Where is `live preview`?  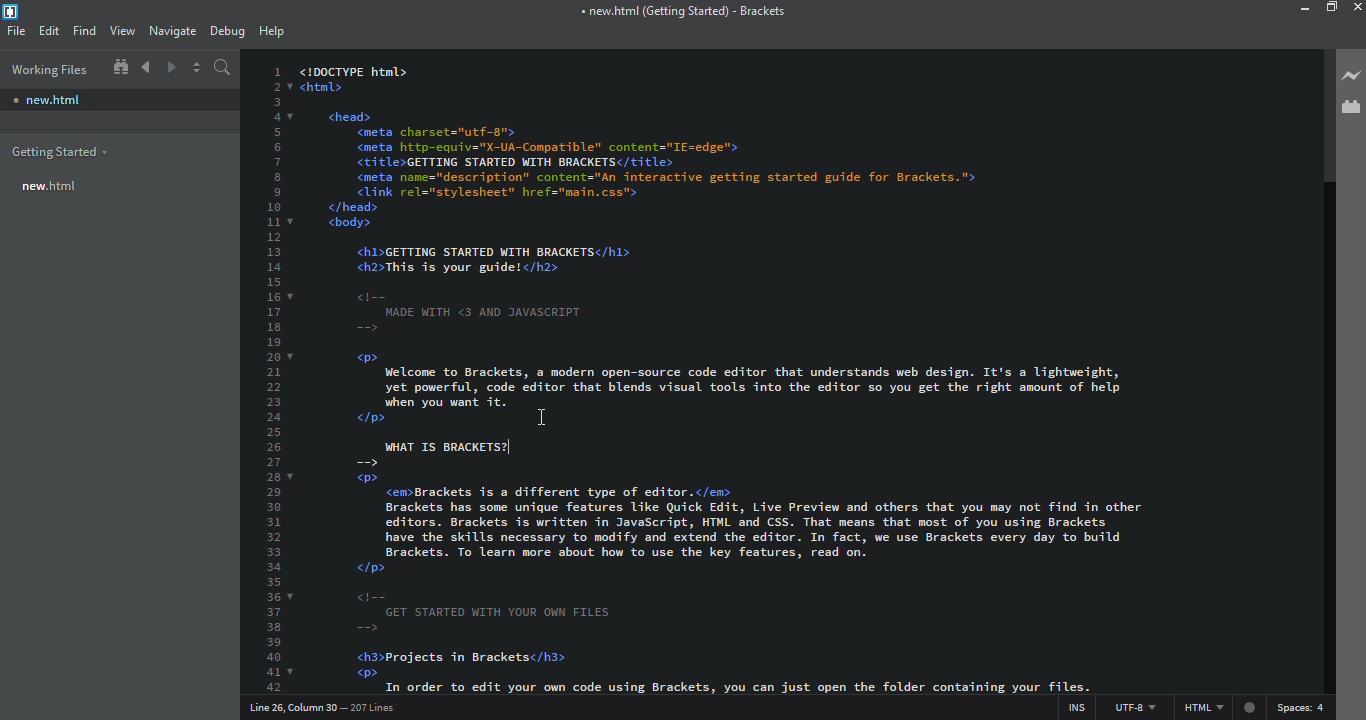 live preview is located at coordinates (1349, 76).